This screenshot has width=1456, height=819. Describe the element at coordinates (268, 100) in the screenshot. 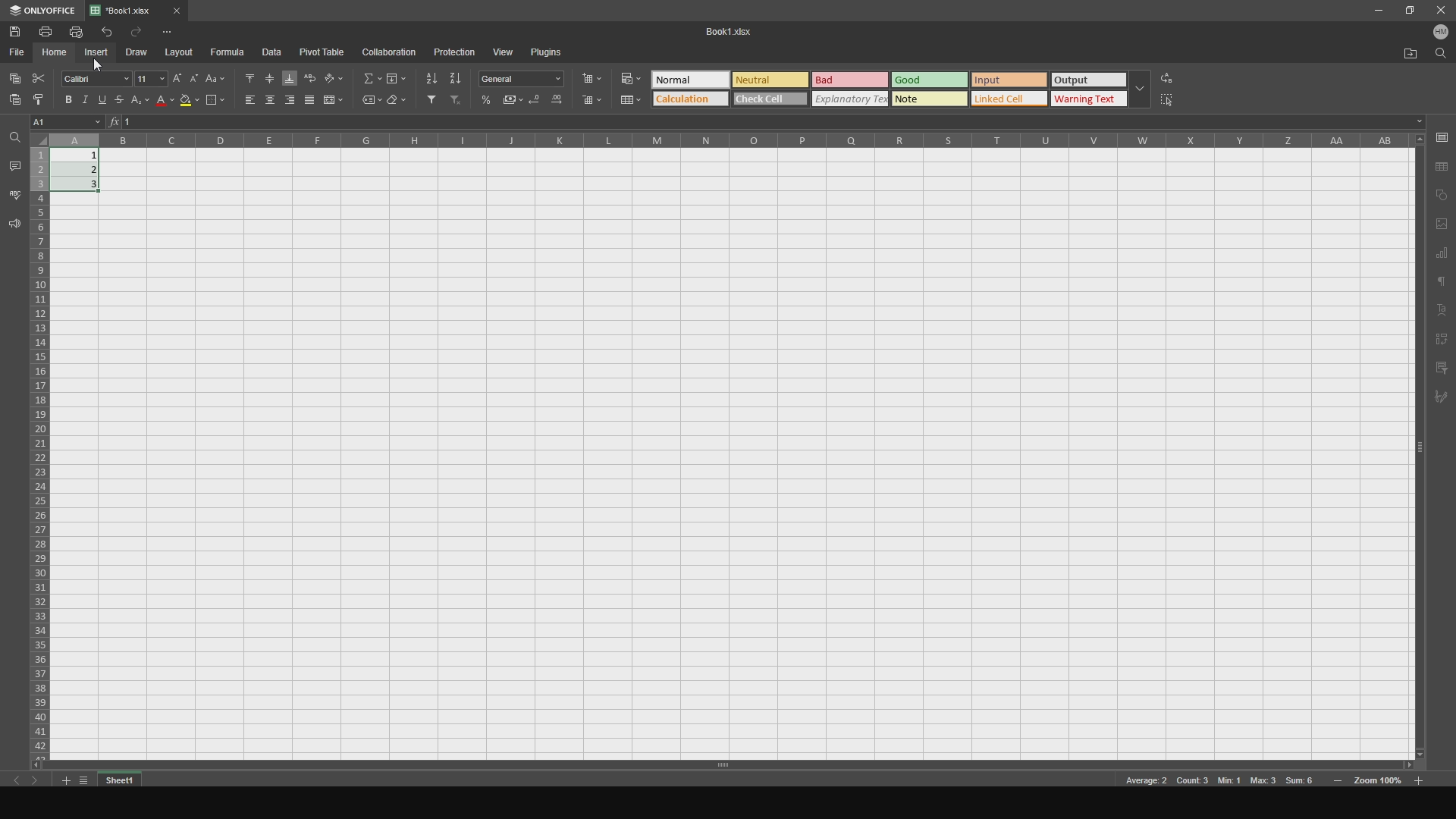

I see `align center` at that location.